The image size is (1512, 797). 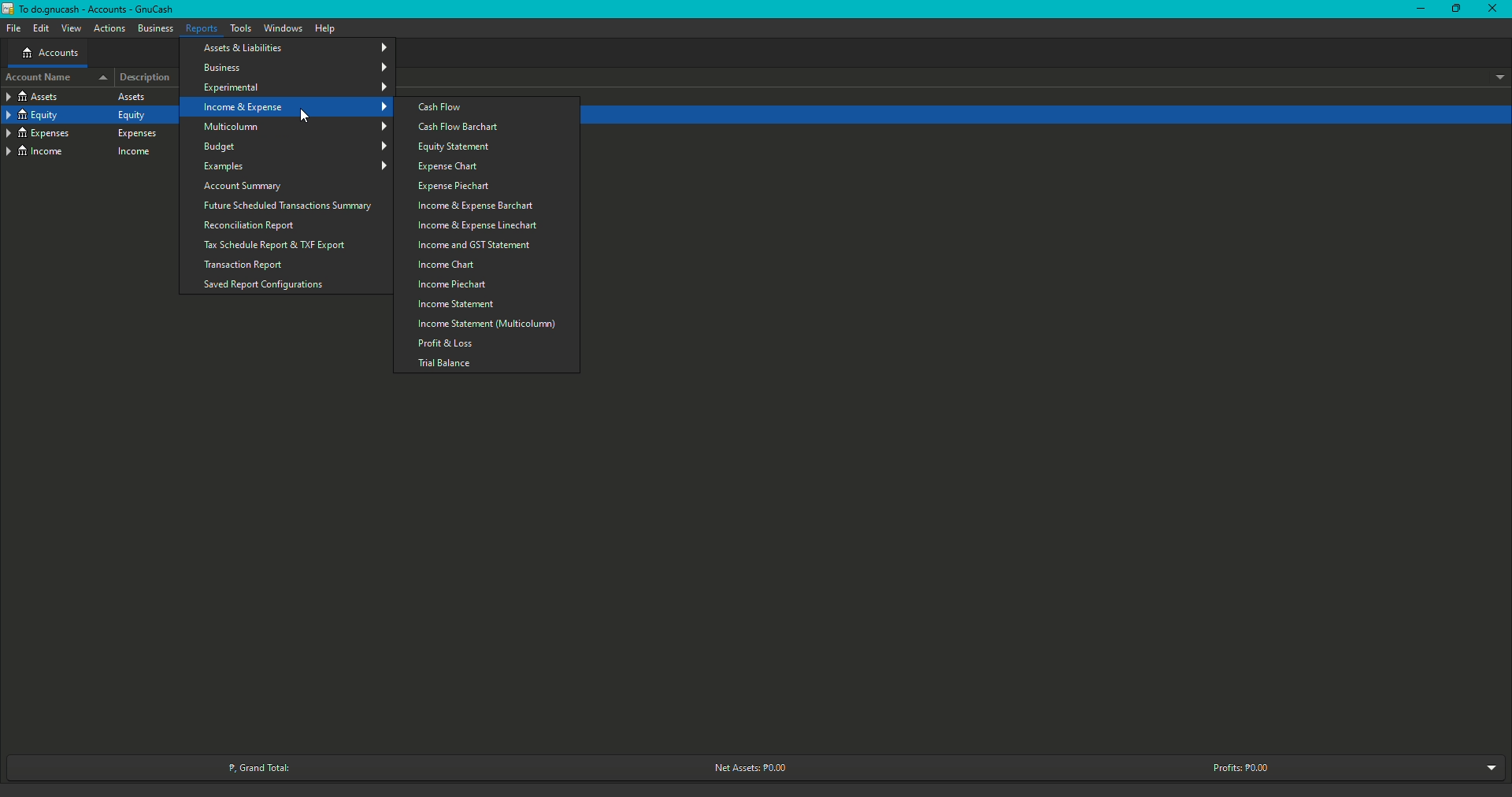 What do you see at coordinates (55, 77) in the screenshot?
I see `Account name` at bounding box center [55, 77].